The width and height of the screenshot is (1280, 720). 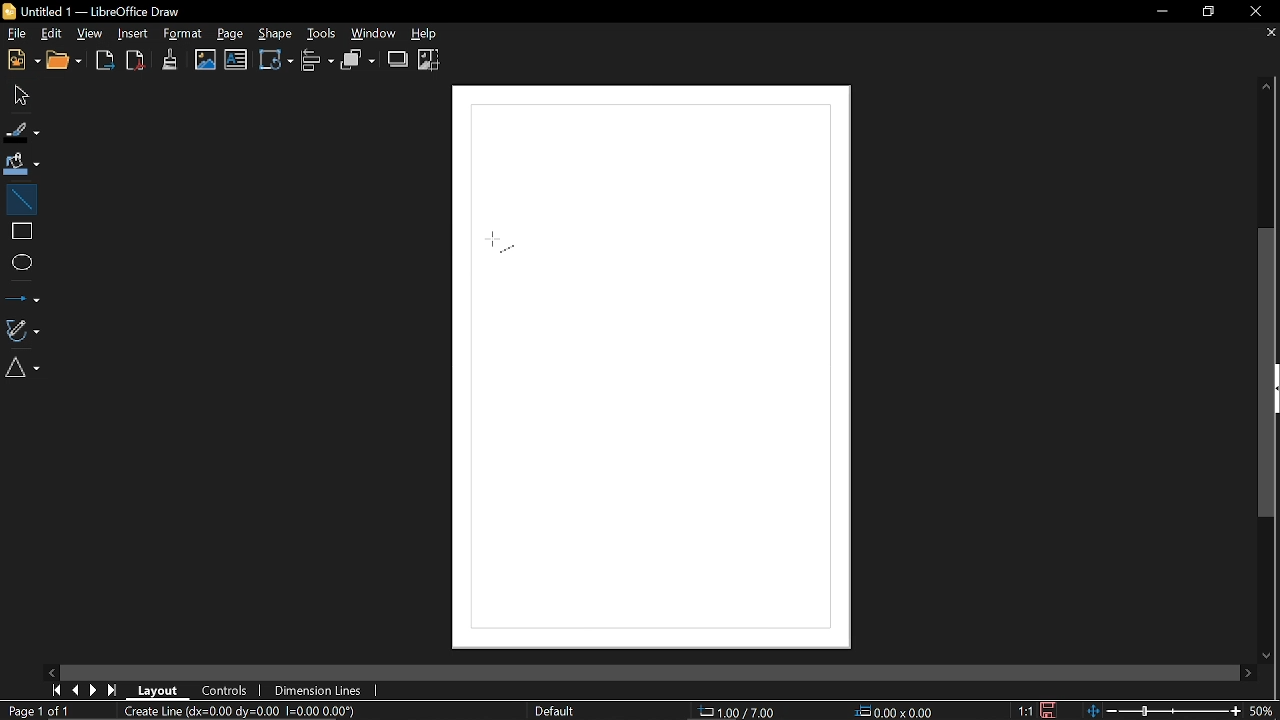 What do you see at coordinates (22, 163) in the screenshot?
I see `Fill color` at bounding box center [22, 163].